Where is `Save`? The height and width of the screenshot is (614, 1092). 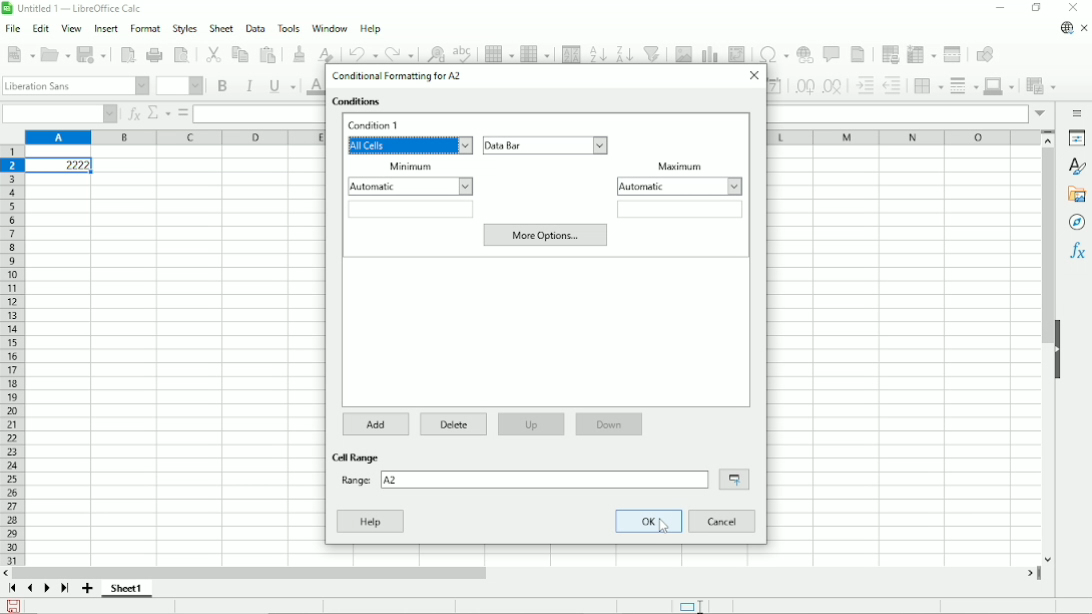 Save is located at coordinates (14, 605).